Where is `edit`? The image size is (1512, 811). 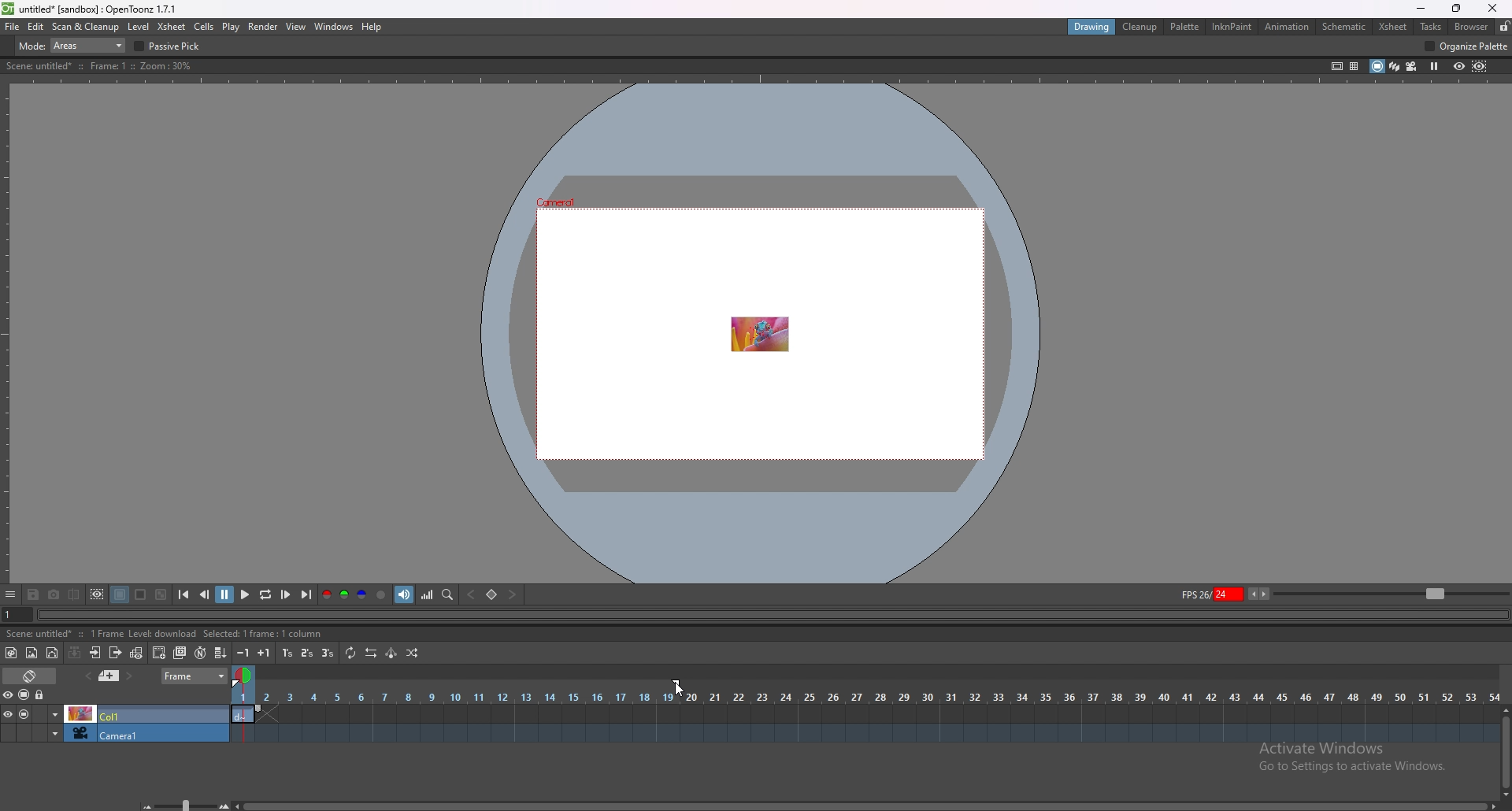 edit is located at coordinates (36, 27).